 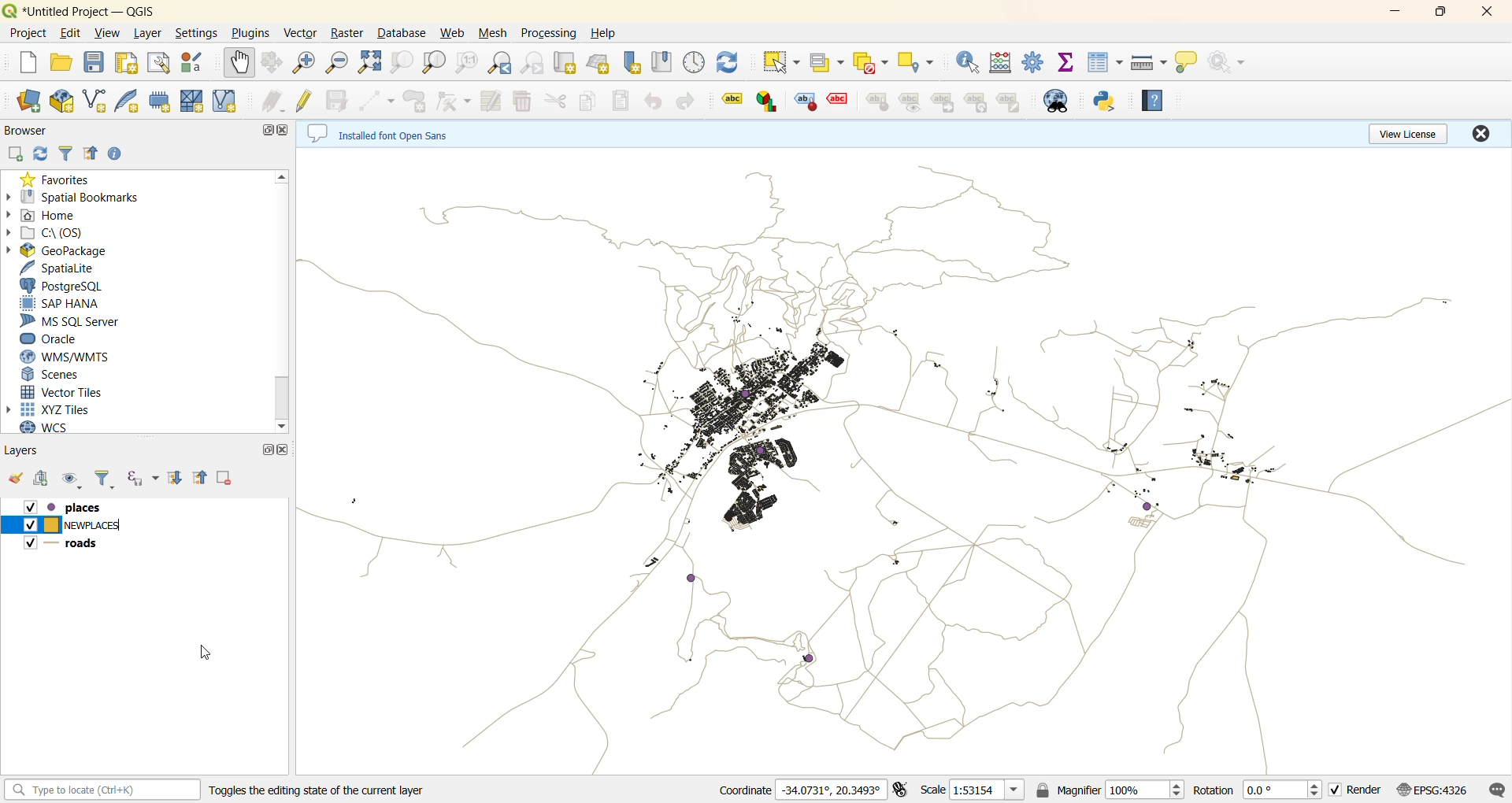 What do you see at coordinates (653, 102) in the screenshot?
I see `undo` at bounding box center [653, 102].